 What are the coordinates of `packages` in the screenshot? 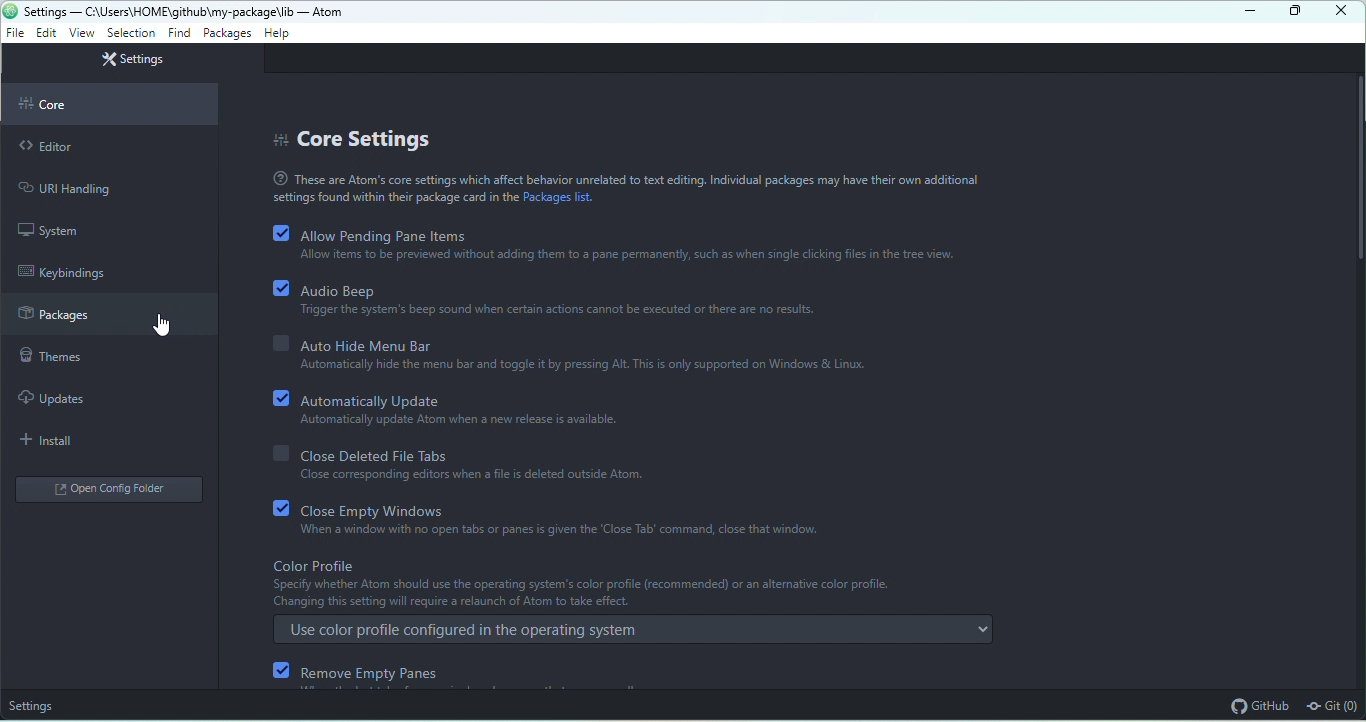 It's located at (226, 33).